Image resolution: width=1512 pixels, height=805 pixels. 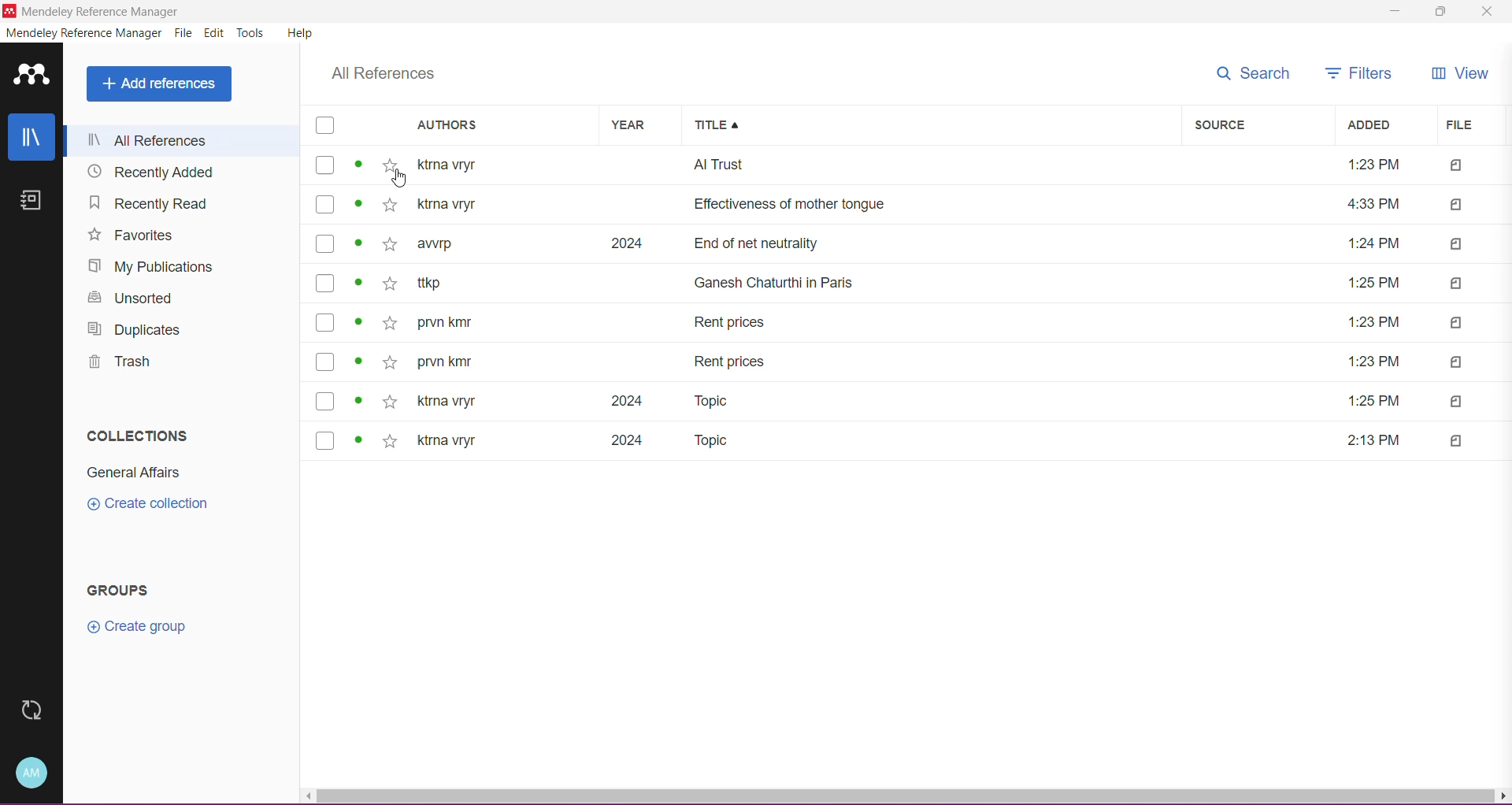 I want to click on Click to select, so click(x=325, y=362).